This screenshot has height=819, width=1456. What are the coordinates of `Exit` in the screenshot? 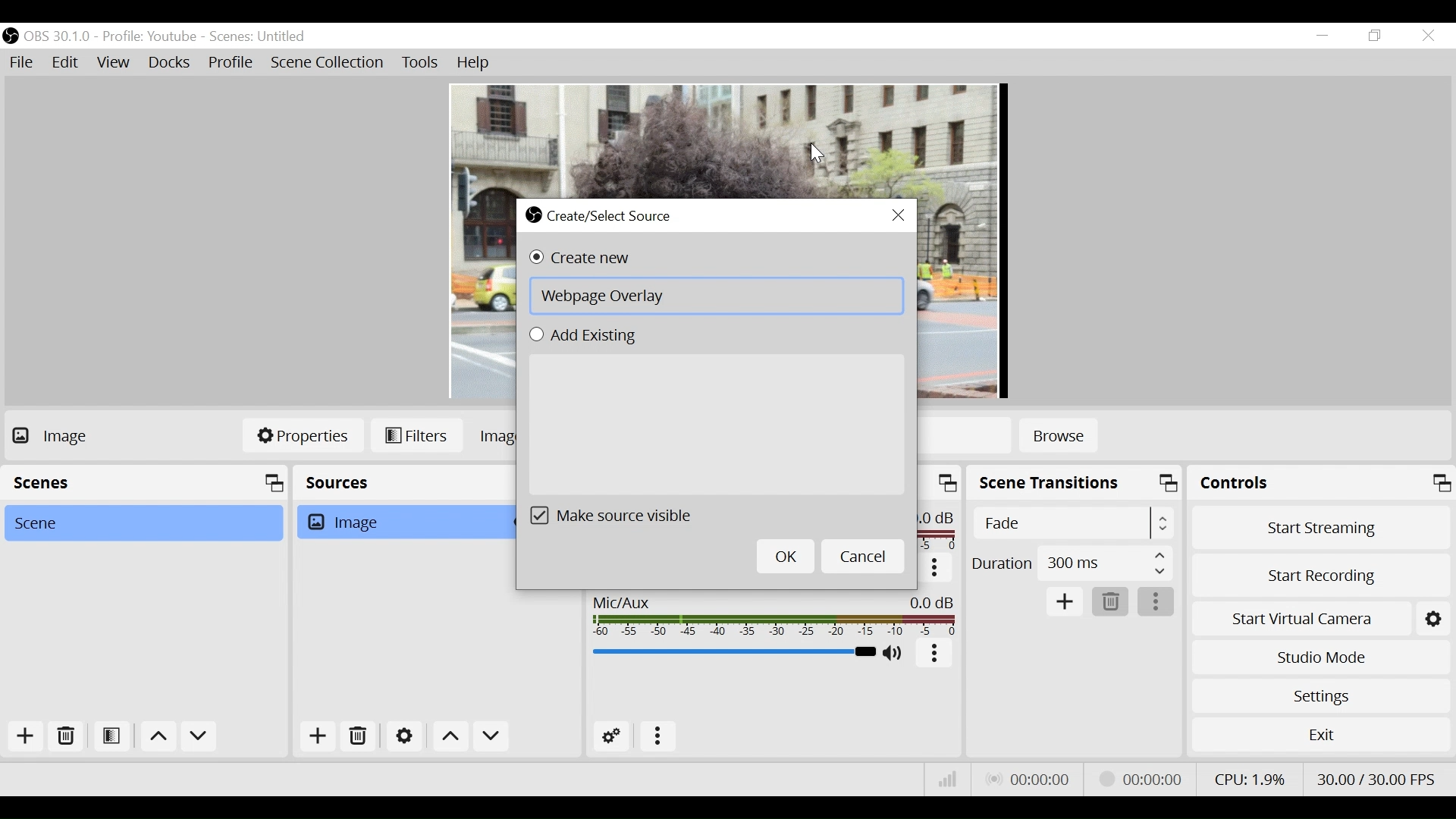 It's located at (1320, 733).